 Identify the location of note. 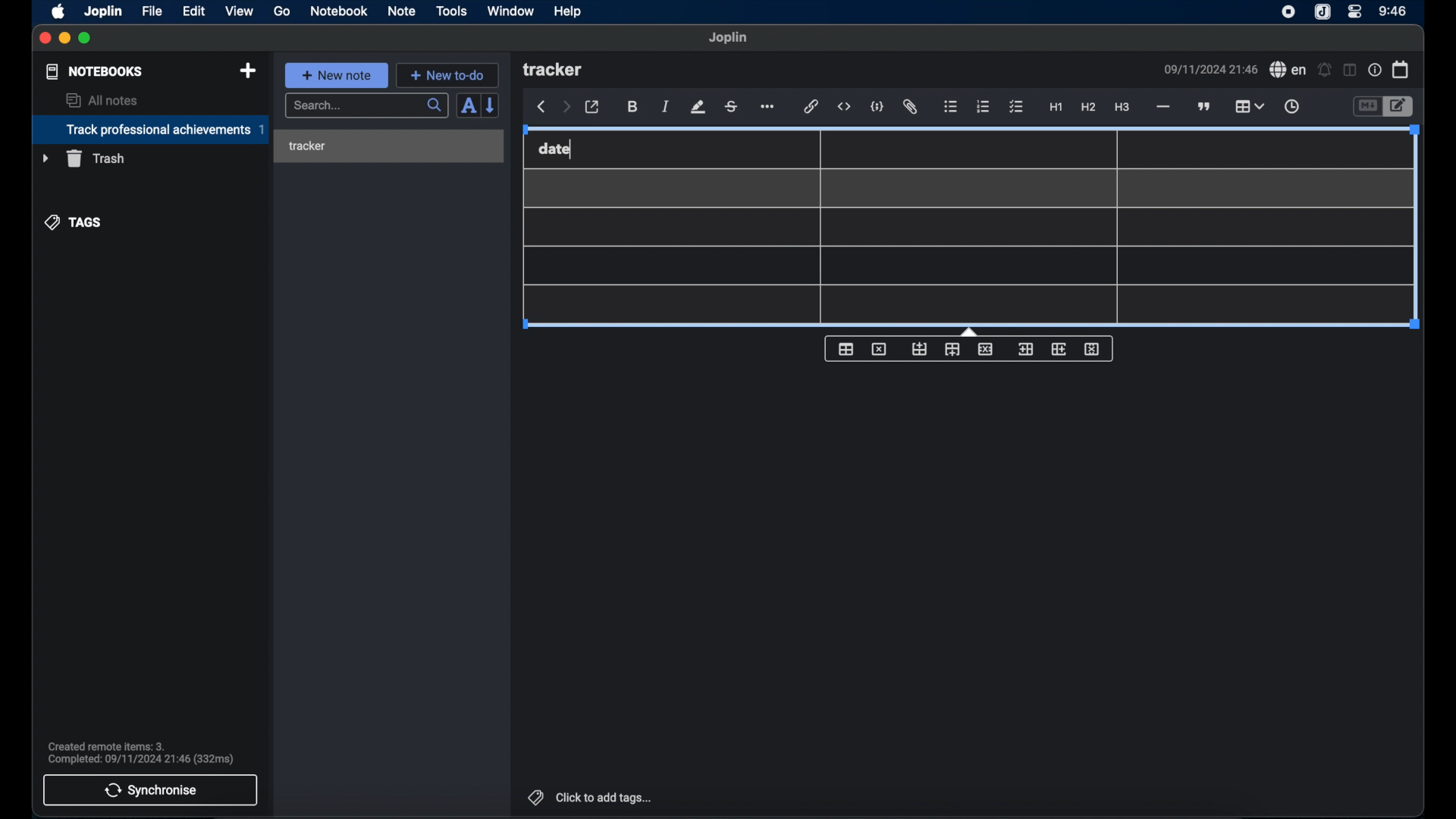
(401, 11).